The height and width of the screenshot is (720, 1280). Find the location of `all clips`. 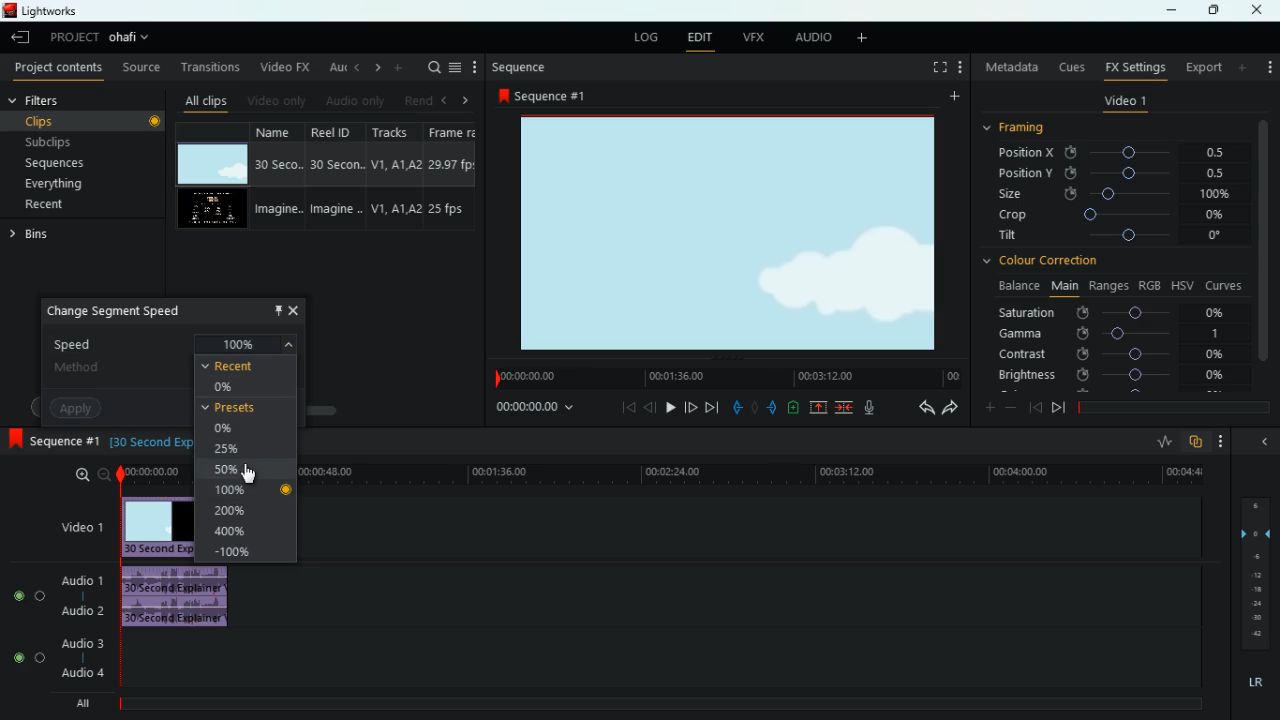

all clips is located at coordinates (202, 98).